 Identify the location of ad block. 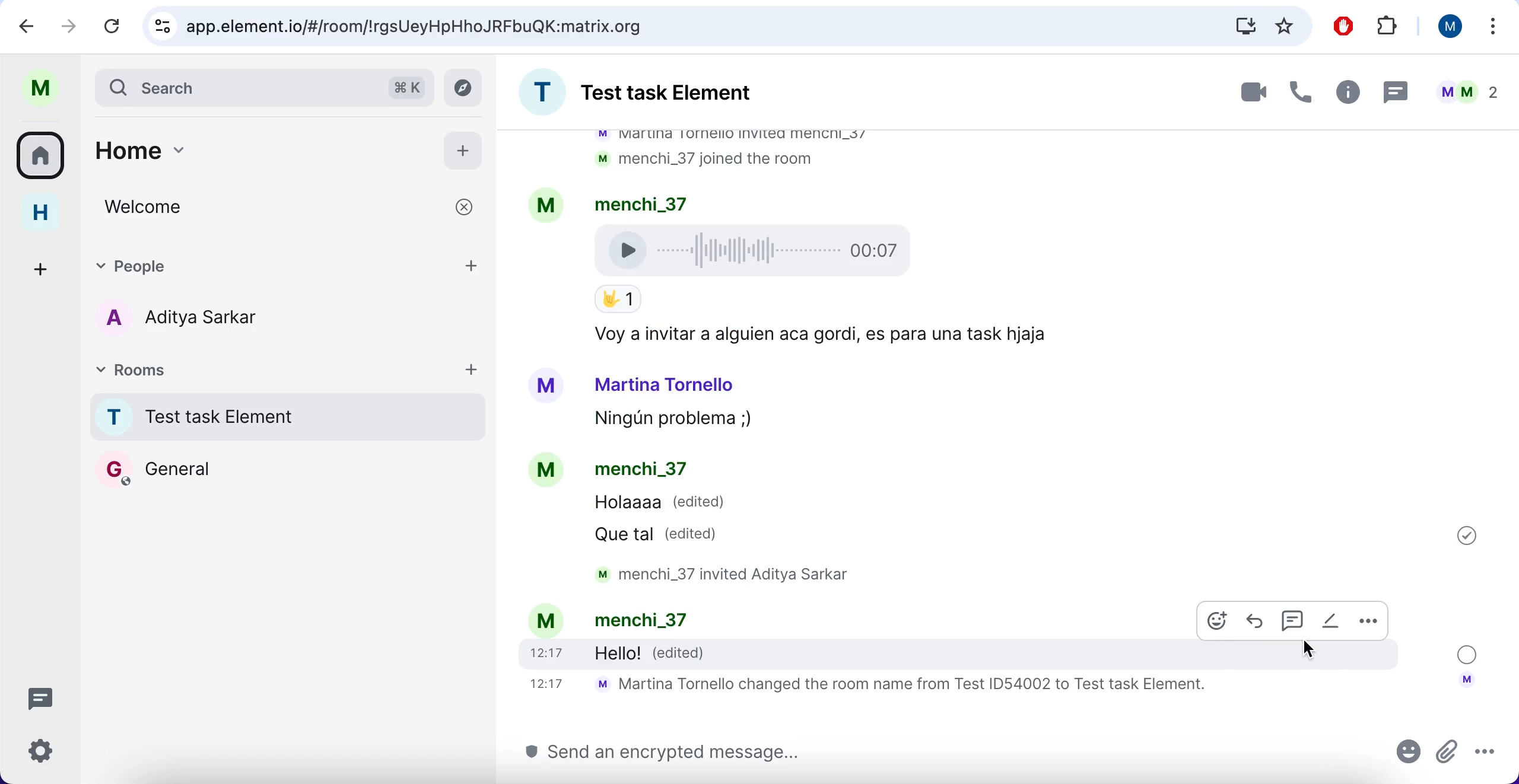
(1345, 26).